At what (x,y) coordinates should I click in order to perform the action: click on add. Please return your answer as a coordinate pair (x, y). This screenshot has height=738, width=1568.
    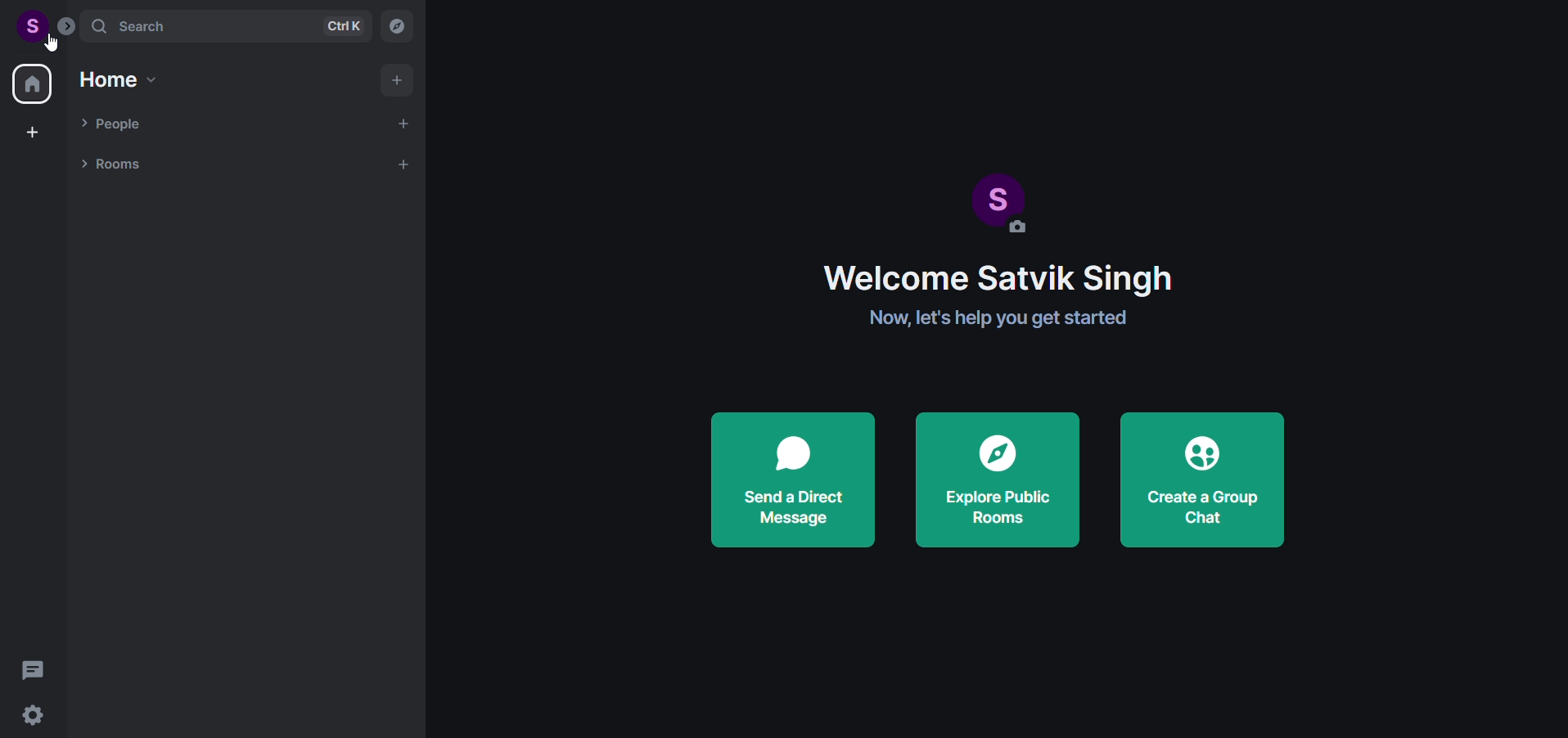
    Looking at the image, I should click on (396, 79).